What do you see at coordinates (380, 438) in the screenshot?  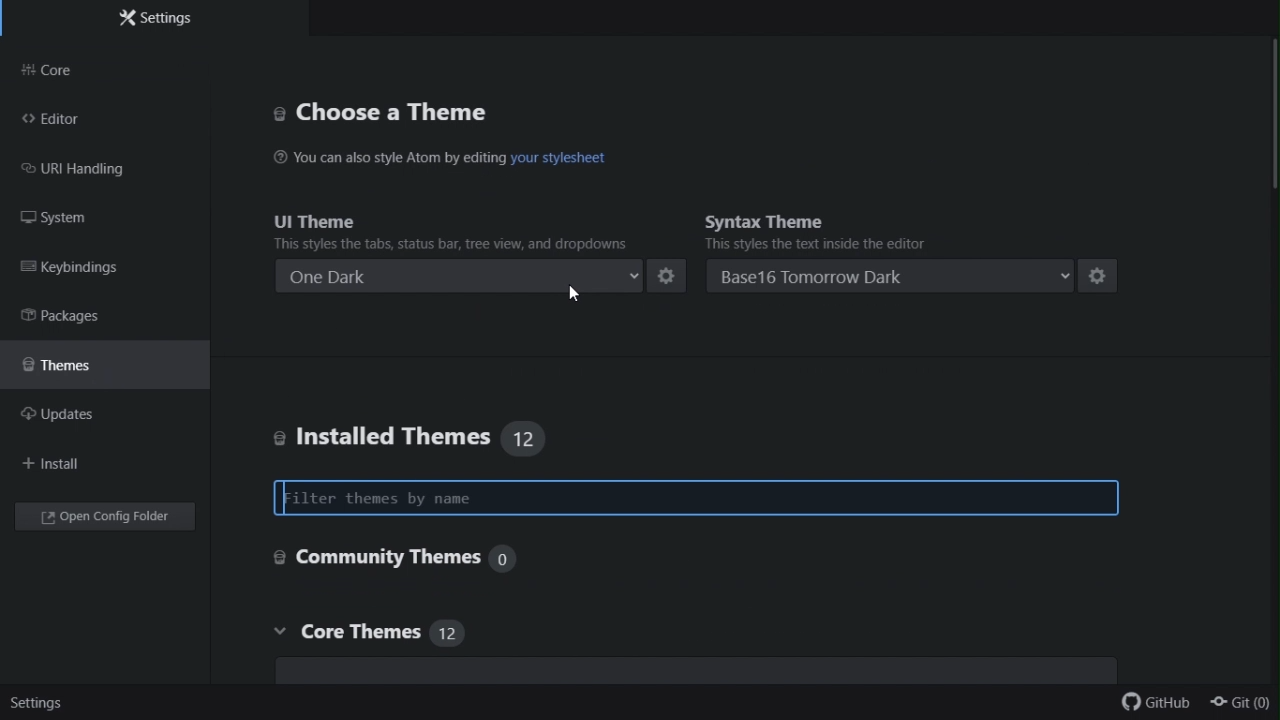 I see `Install themes` at bounding box center [380, 438].